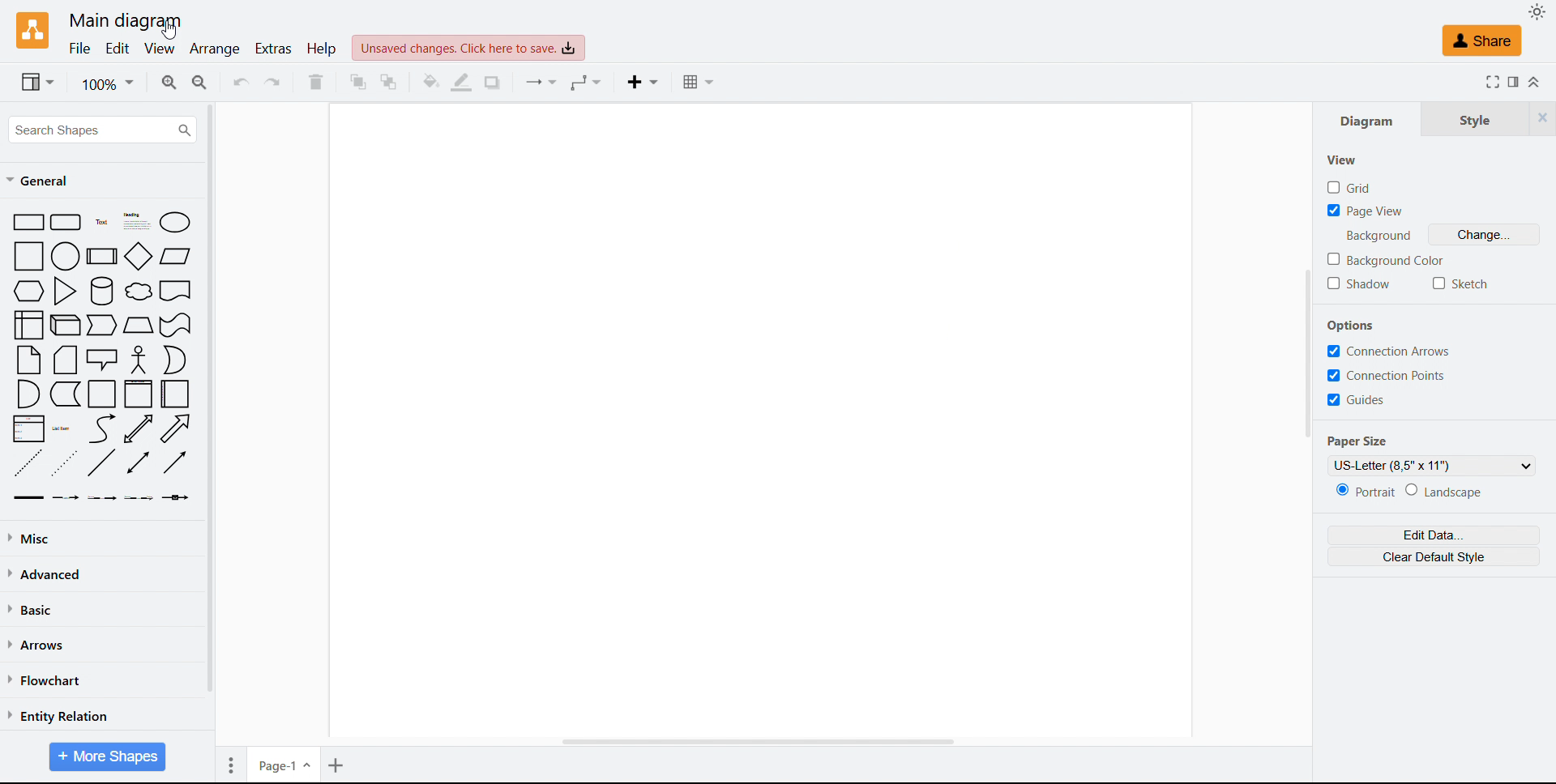 The image size is (1556, 784). Describe the element at coordinates (169, 83) in the screenshot. I see `Zoom in ` at that location.